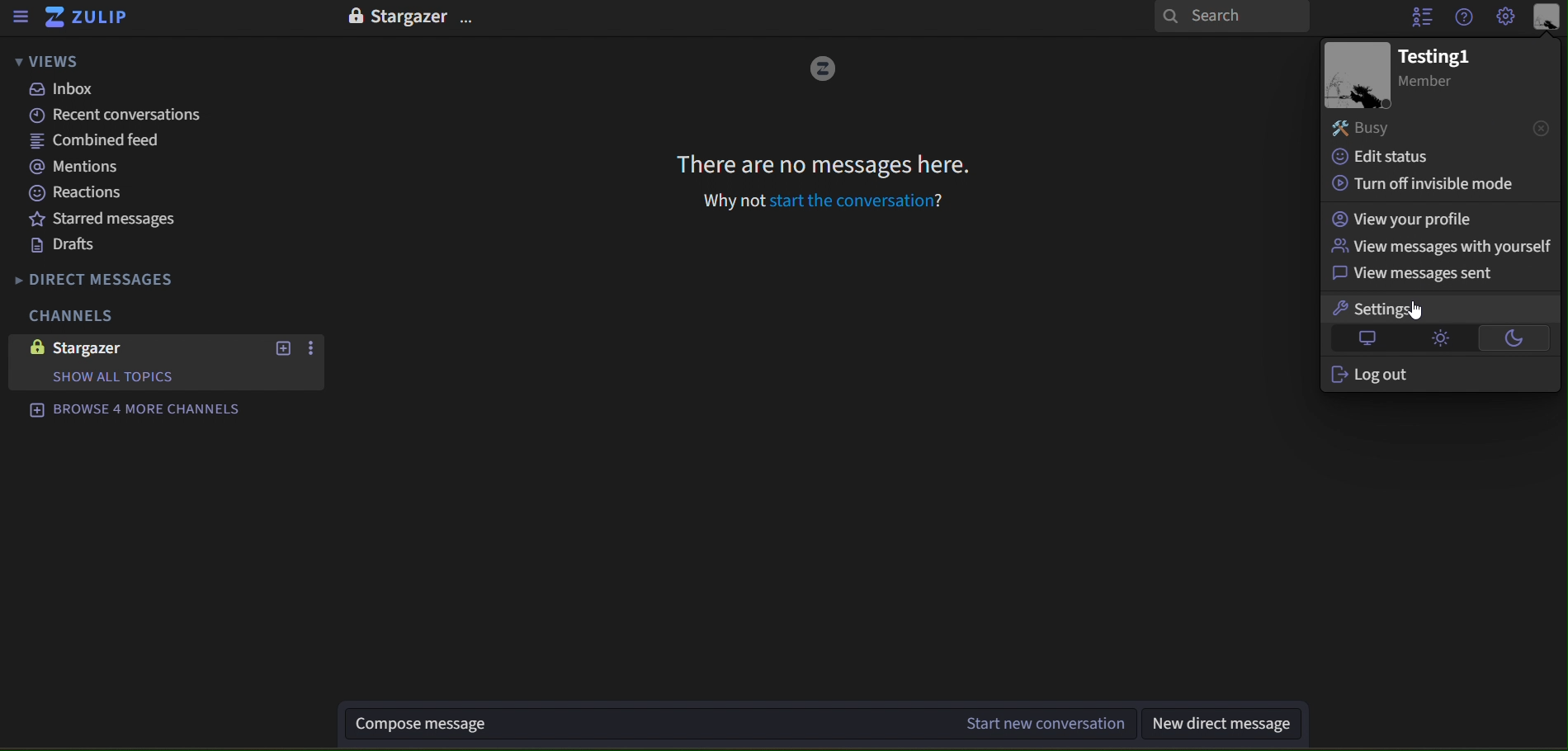 The width and height of the screenshot is (1568, 751). What do you see at coordinates (1433, 83) in the screenshot?
I see `Member` at bounding box center [1433, 83].